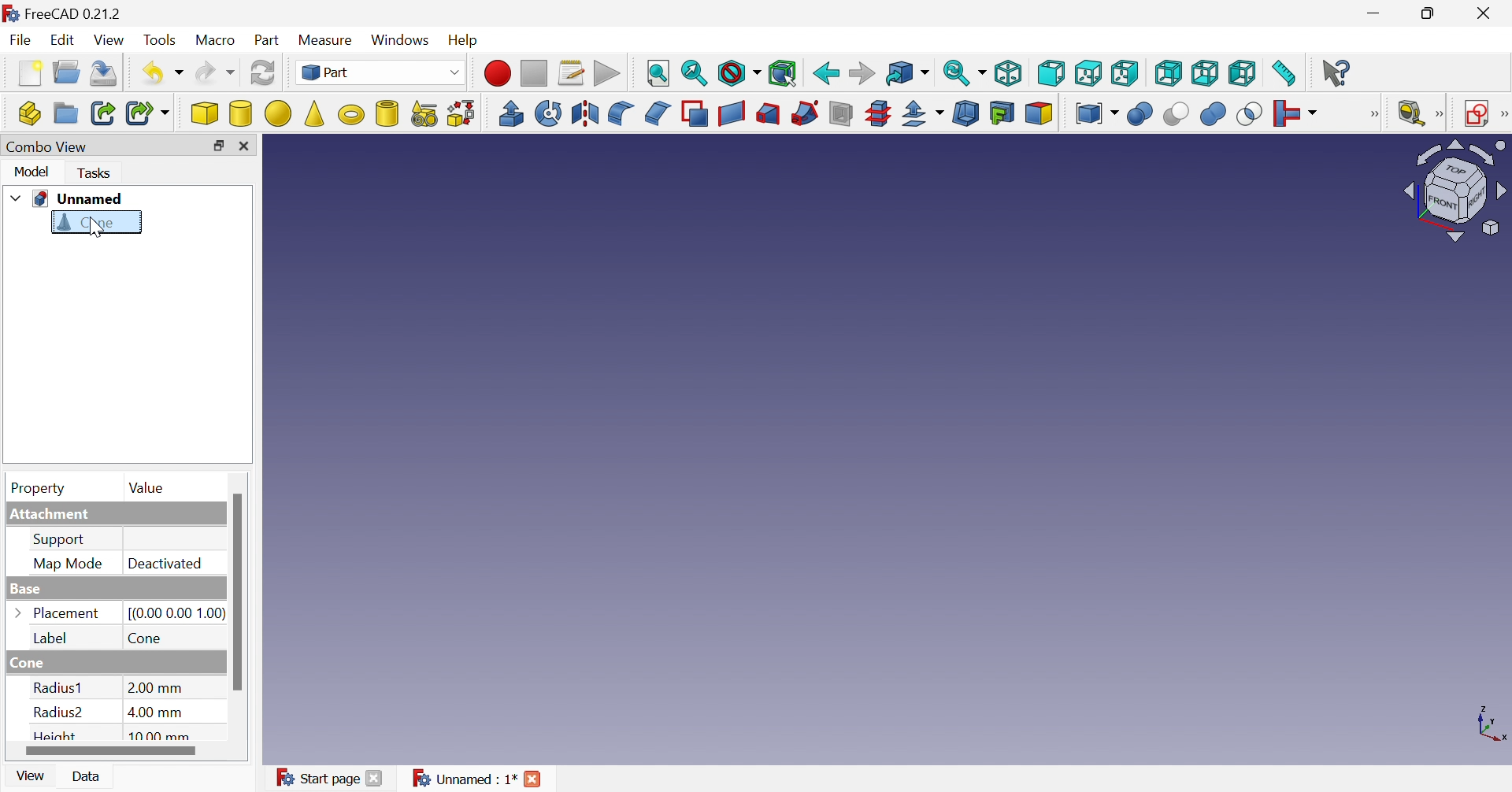  What do you see at coordinates (607, 73) in the screenshot?
I see `Execute macro` at bounding box center [607, 73].